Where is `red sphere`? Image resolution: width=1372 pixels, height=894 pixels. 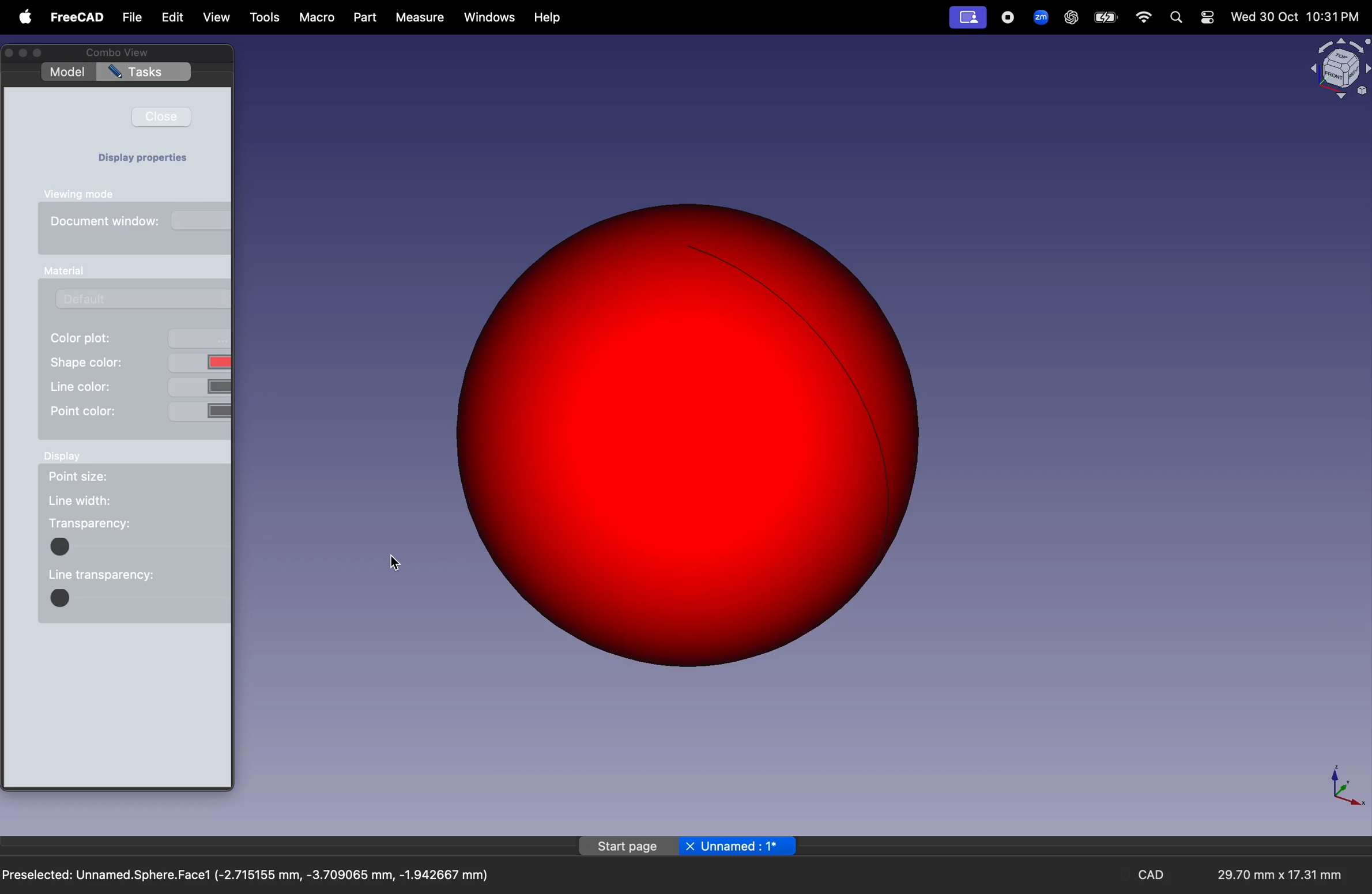
red sphere is located at coordinates (687, 432).